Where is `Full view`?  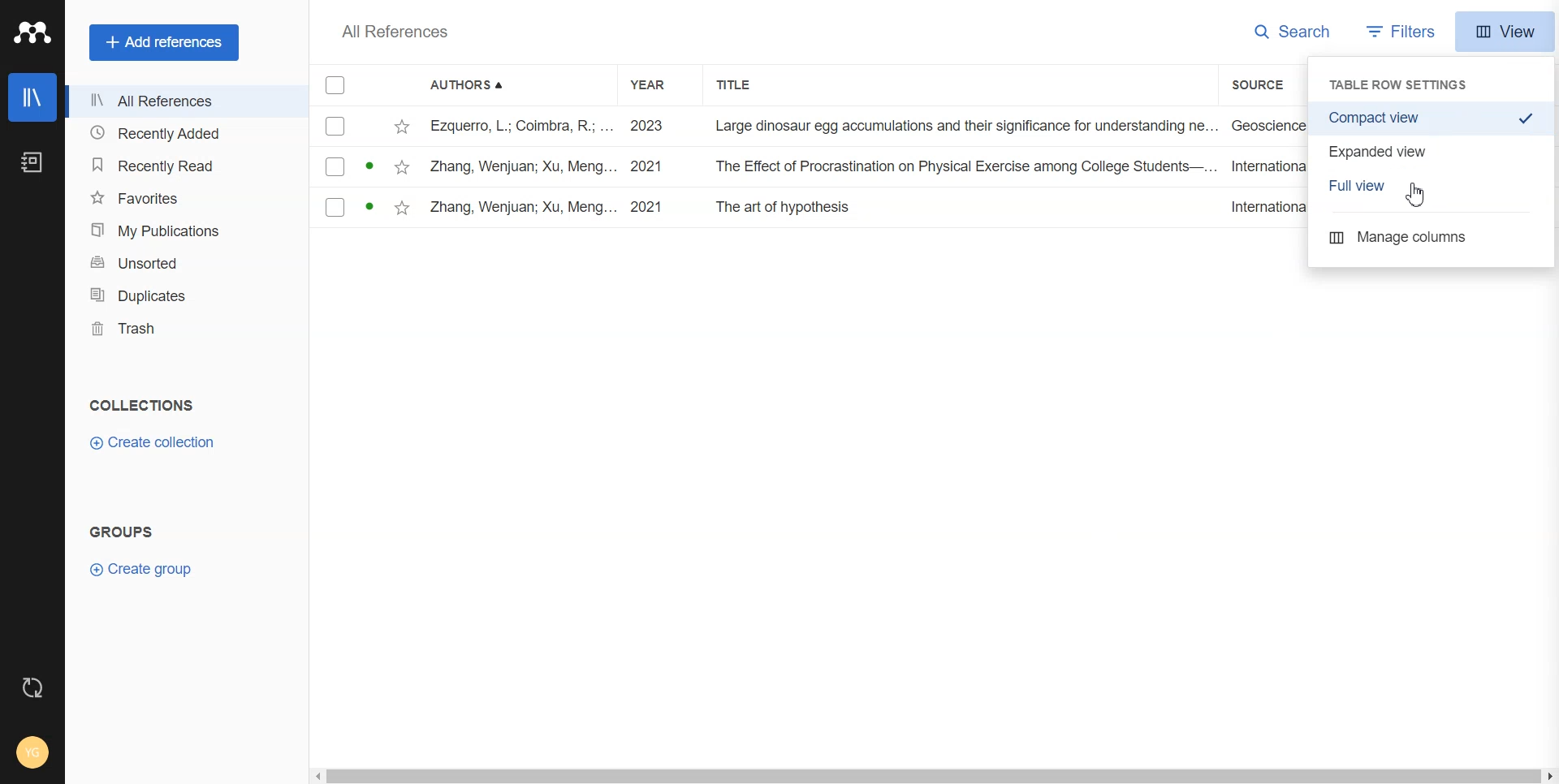
Full view is located at coordinates (1436, 186).